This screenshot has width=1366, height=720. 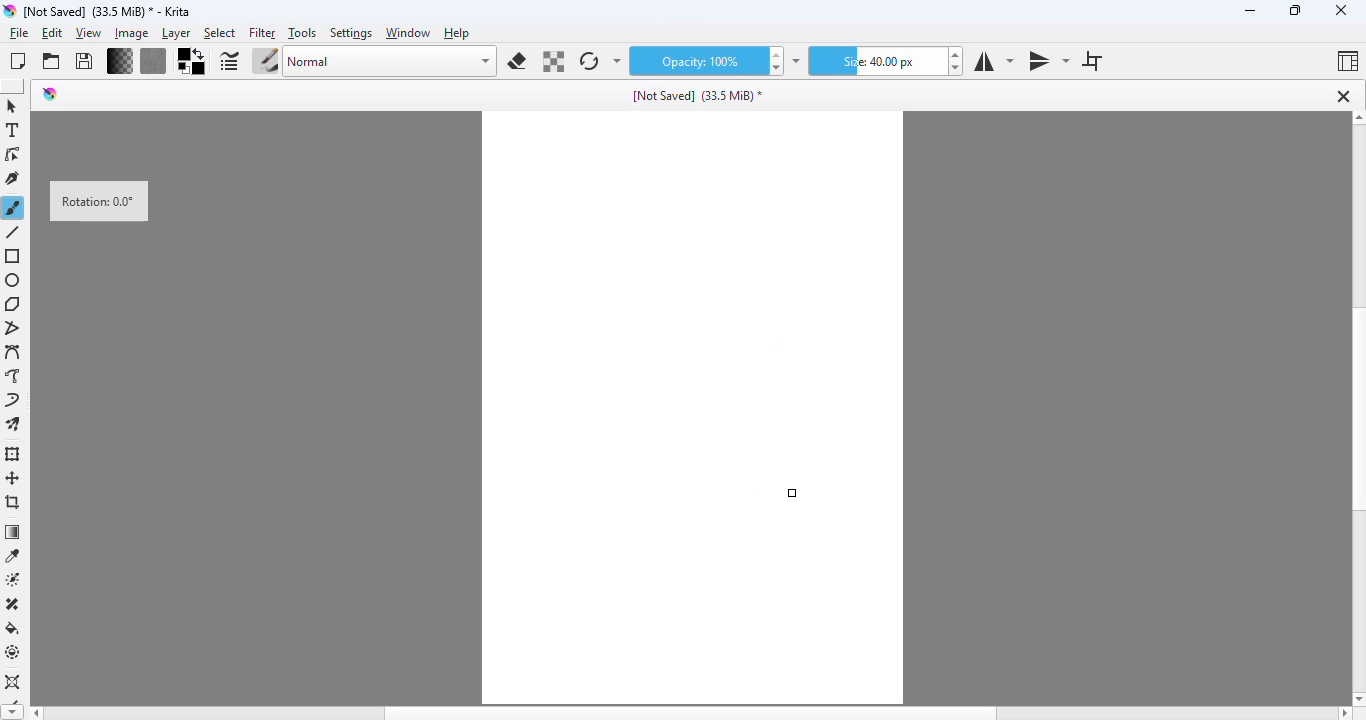 I want to click on polygon tool, so click(x=15, y=304).